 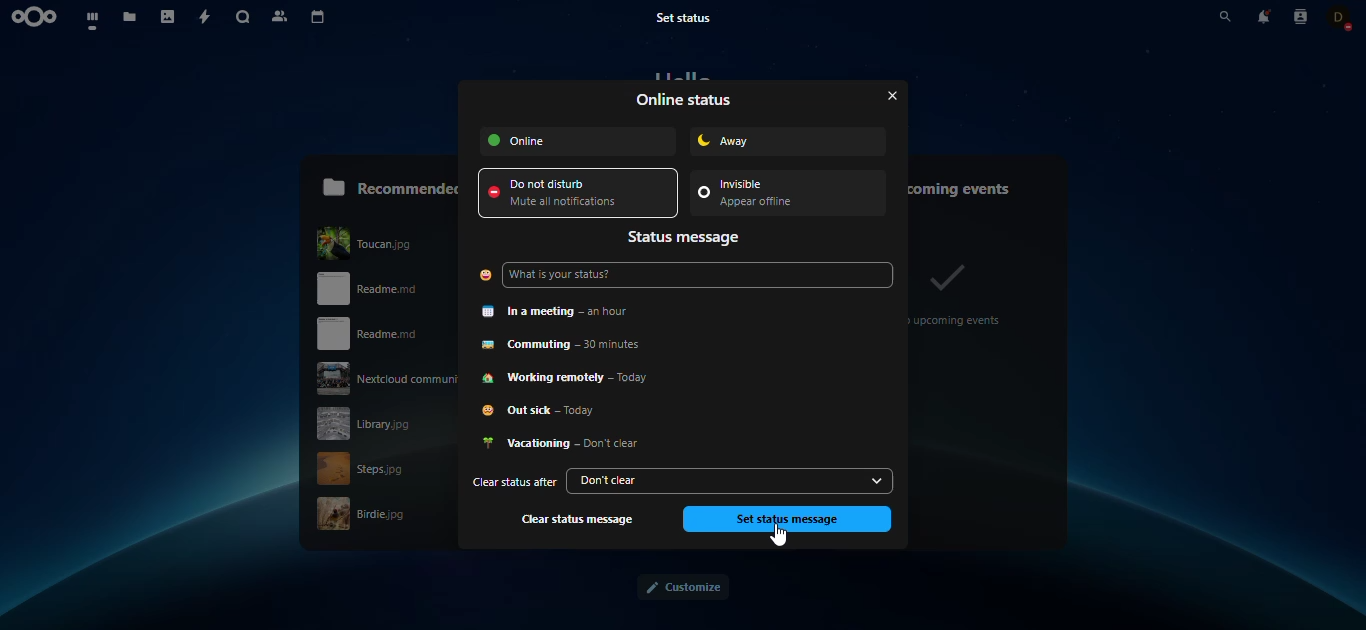 What do you see at coordinates (94, 19) in the screenshot?
I see `dashboard` at bounding box center [94, 19].